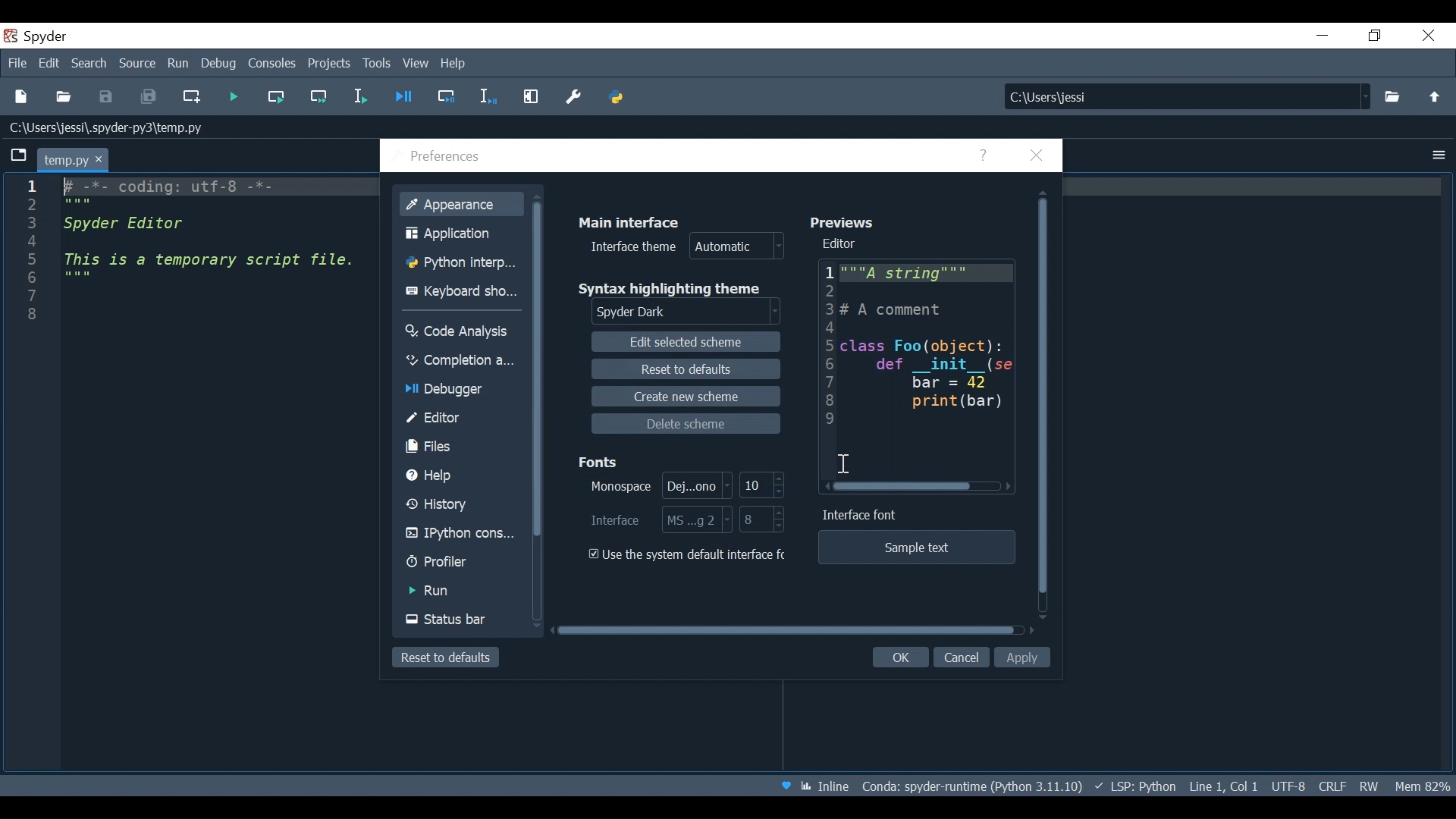 The width and height of the screenshot is (1456, 819). Describe the element at coordinates (918, 548) in the screenshot. I see `Sample text` at that location.